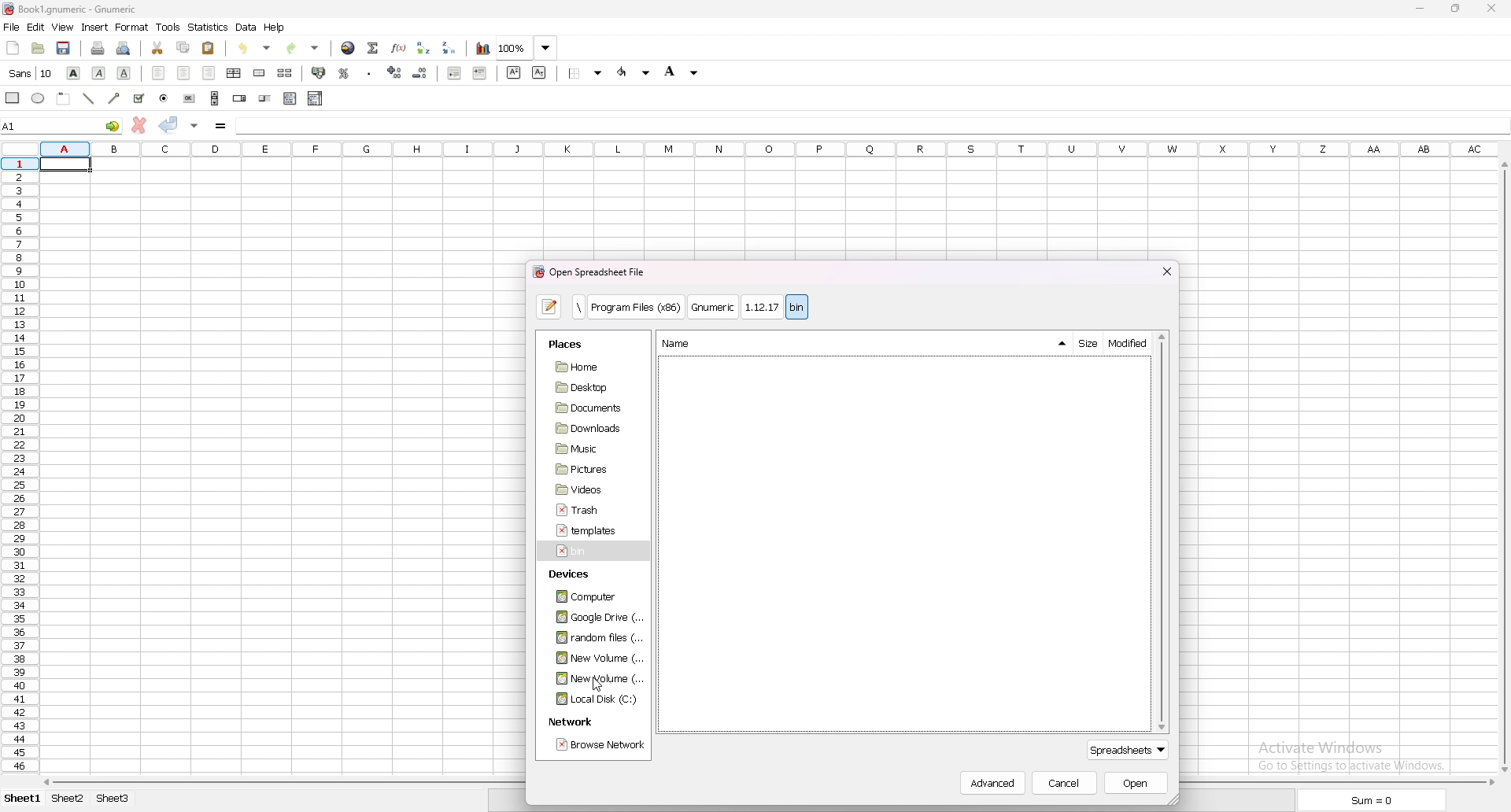 The image size is (1511, 812). Describe the element at coordinates (65, 48) in the screenshot. I see `save` at that location.